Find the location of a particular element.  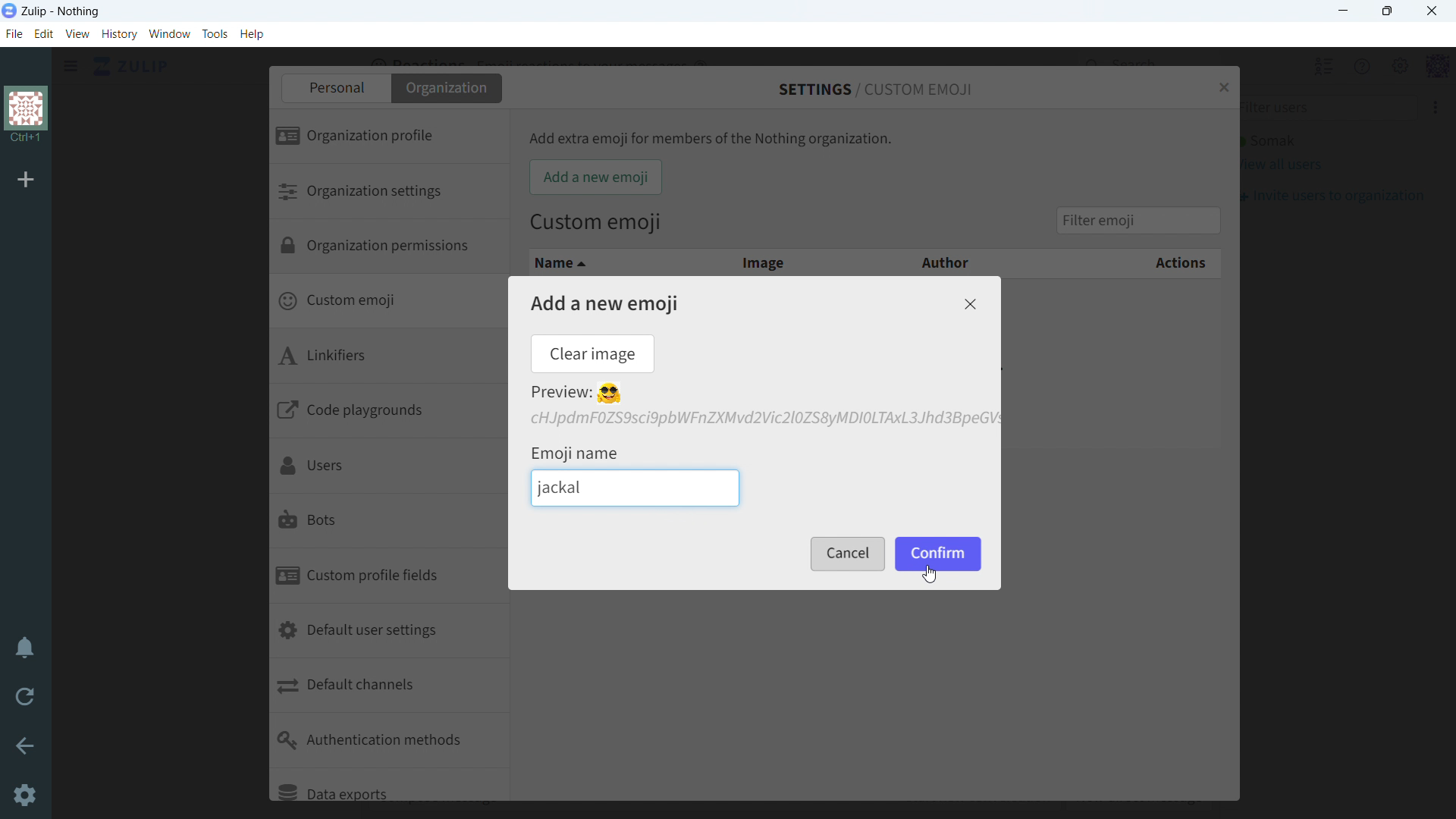

help menu is located at coordinates (1346, 66).